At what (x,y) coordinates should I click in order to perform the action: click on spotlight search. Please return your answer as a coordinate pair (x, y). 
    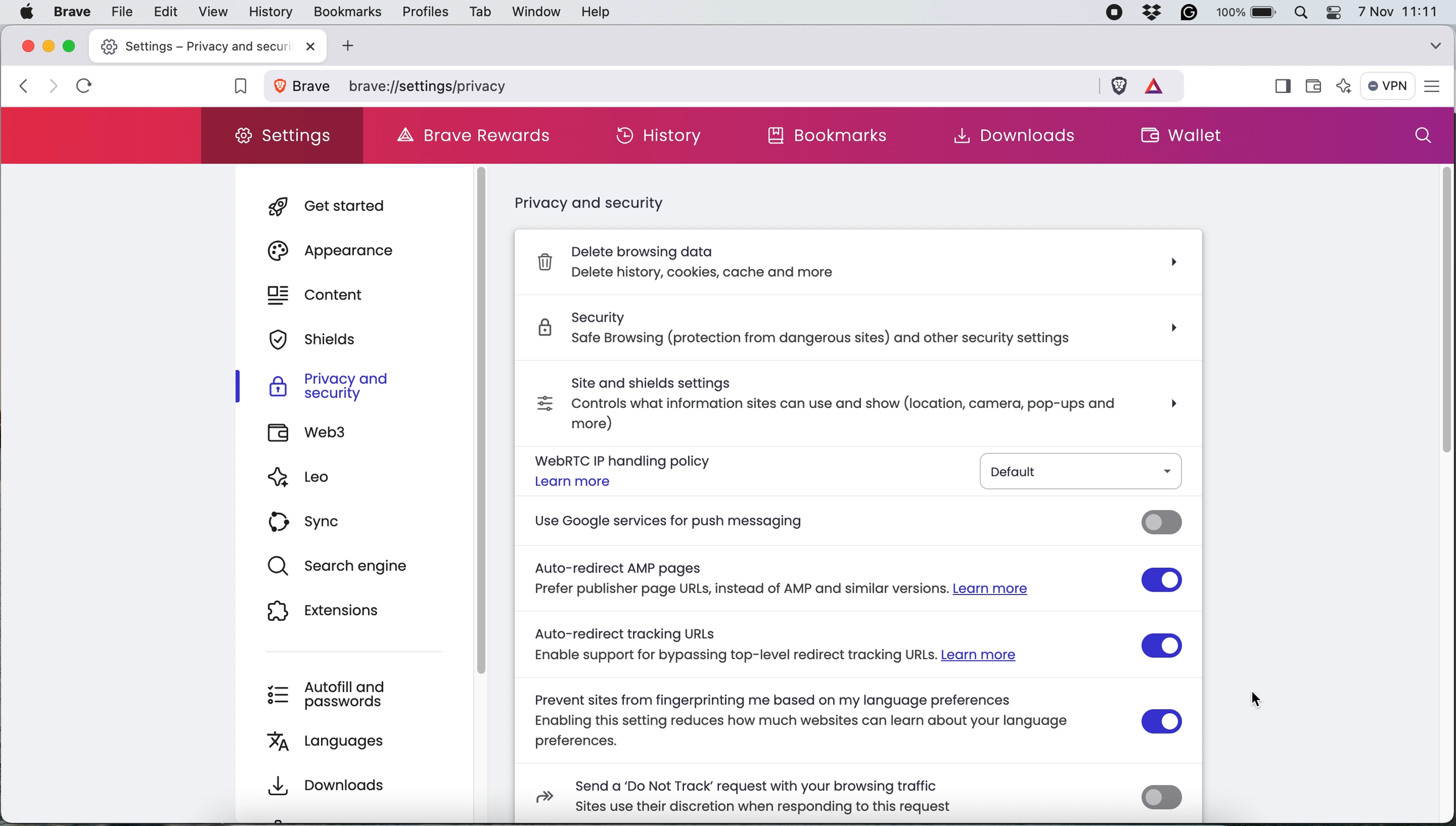
    Looking at the image, I should click on (1306, 12).